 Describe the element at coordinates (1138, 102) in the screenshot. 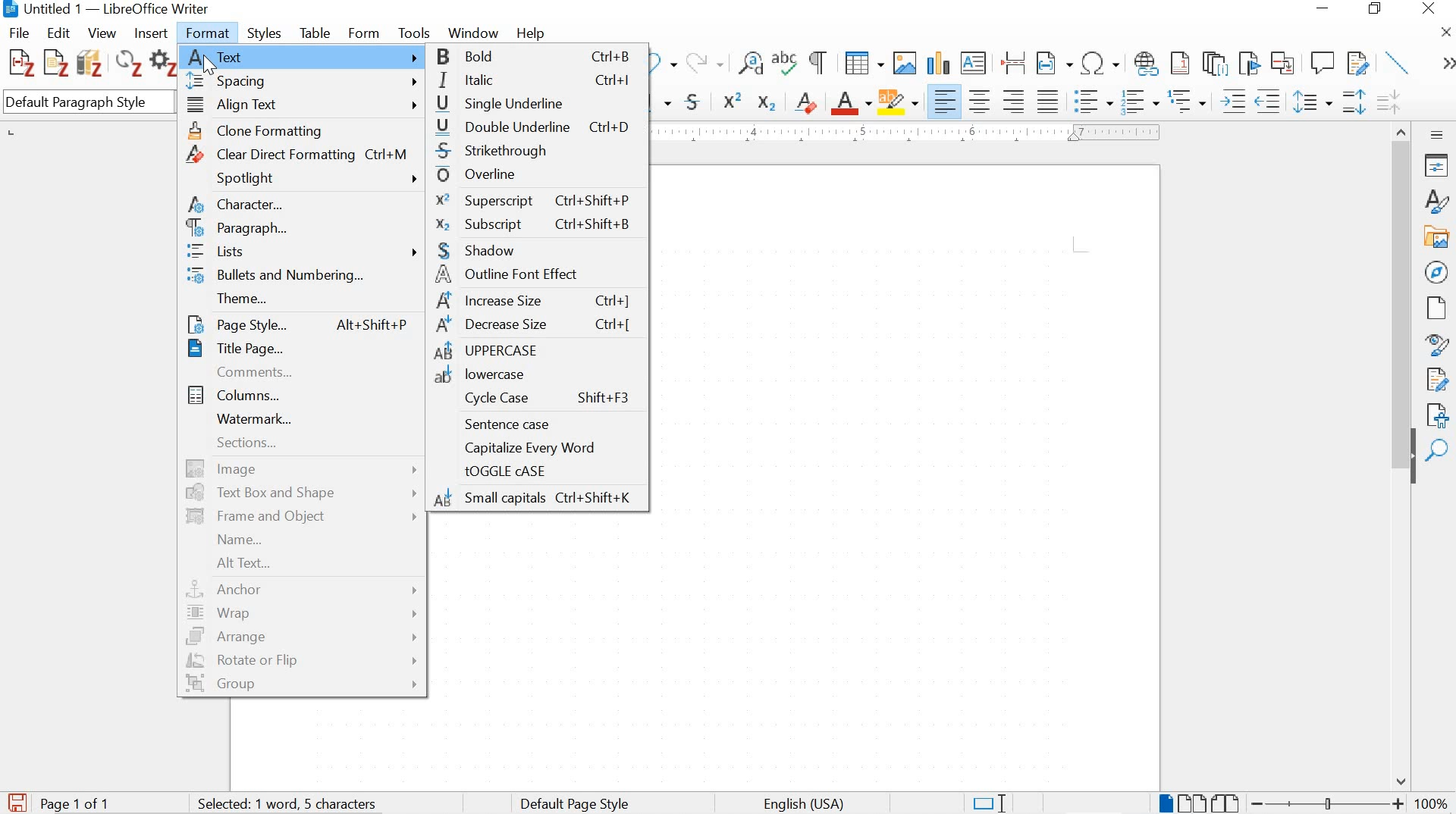

I see `toggle ordered list` at that location.